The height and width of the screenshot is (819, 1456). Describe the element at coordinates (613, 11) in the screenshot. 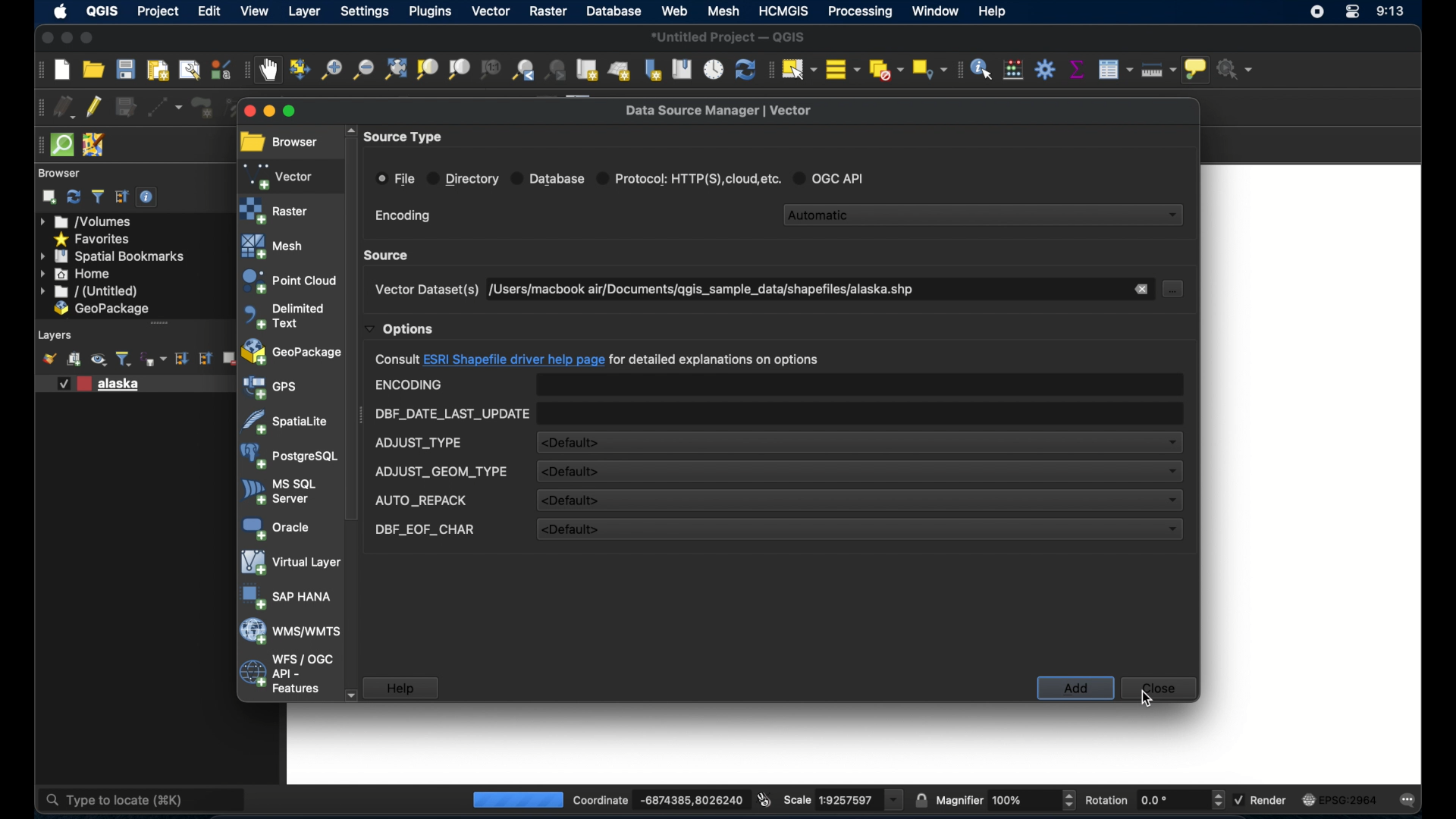

I see `database` at that location.